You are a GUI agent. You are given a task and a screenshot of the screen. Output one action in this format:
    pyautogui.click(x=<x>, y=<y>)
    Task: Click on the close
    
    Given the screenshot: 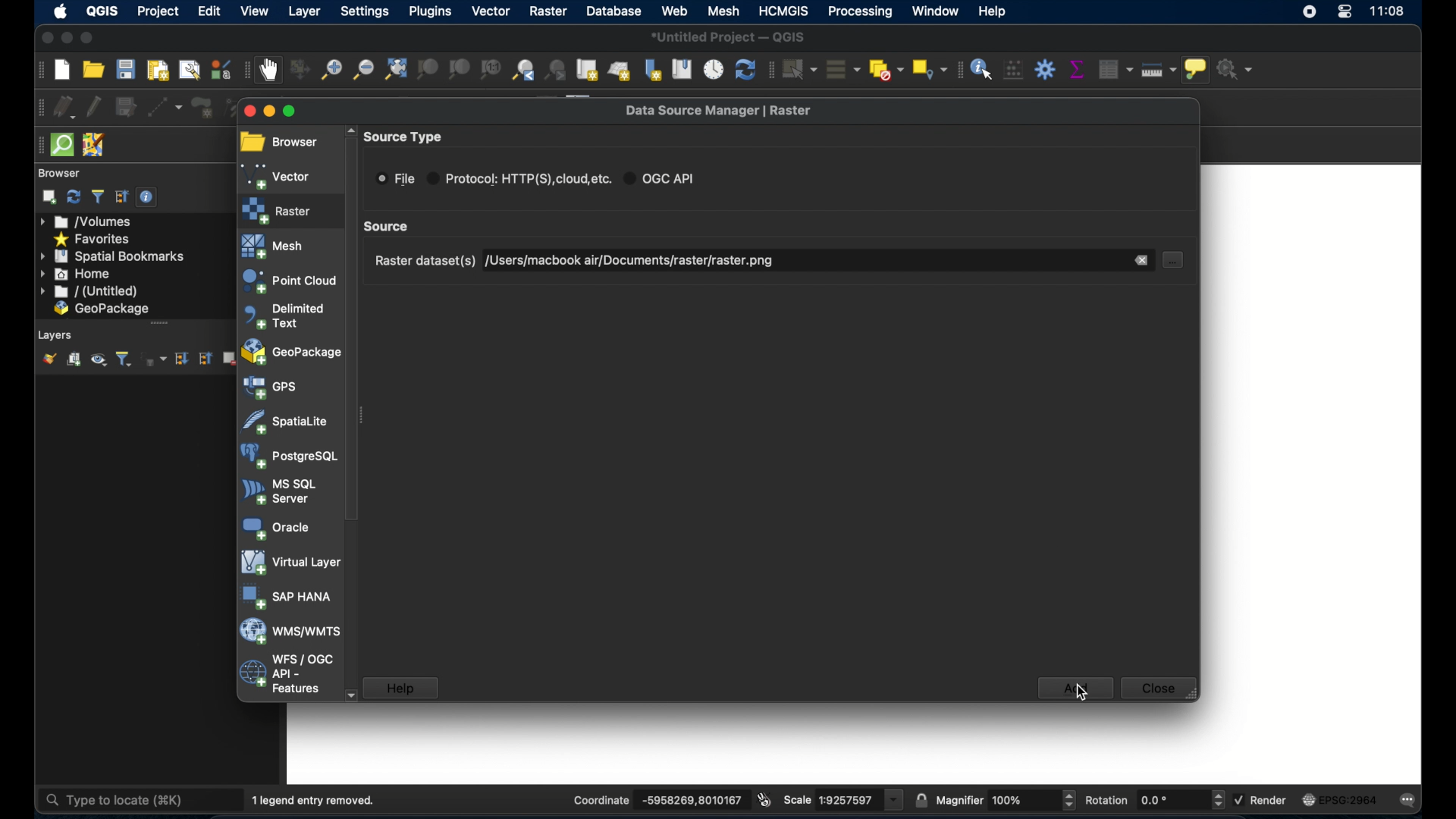 What is the action you would take?
    pyautogui.click(x=247, y=111)
    